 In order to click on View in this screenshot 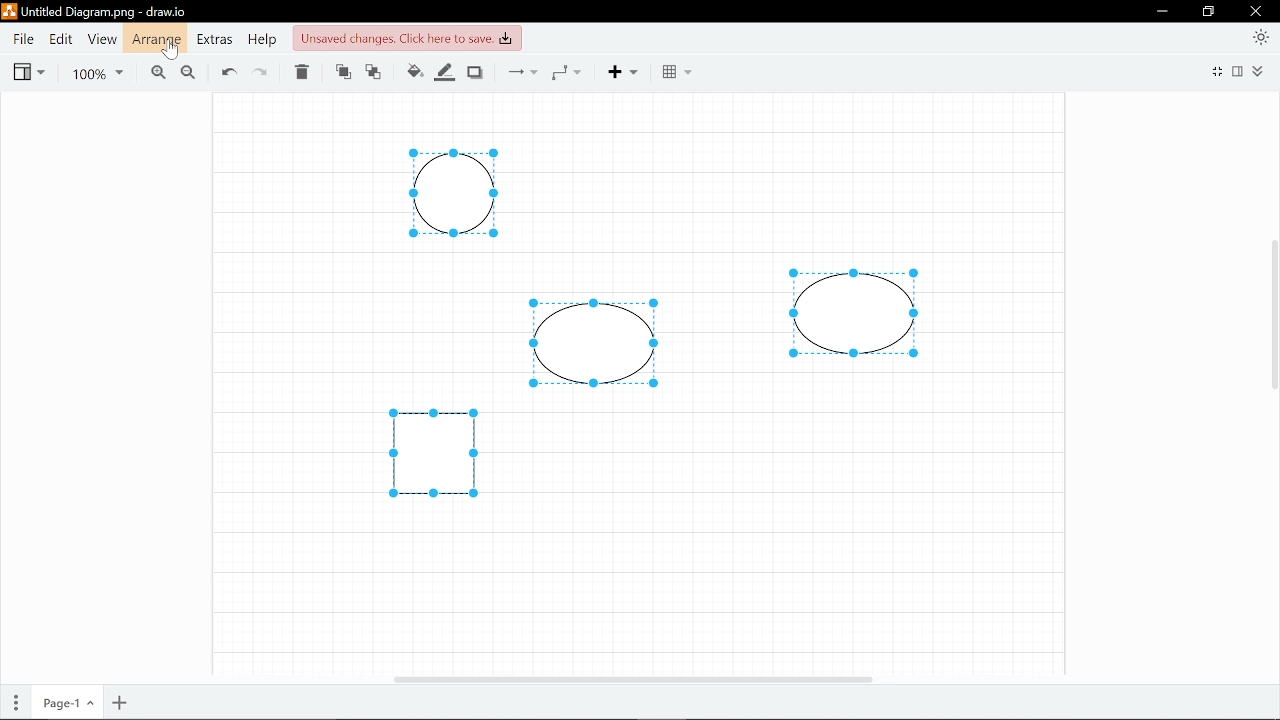, I will do `click(100, 39)`.